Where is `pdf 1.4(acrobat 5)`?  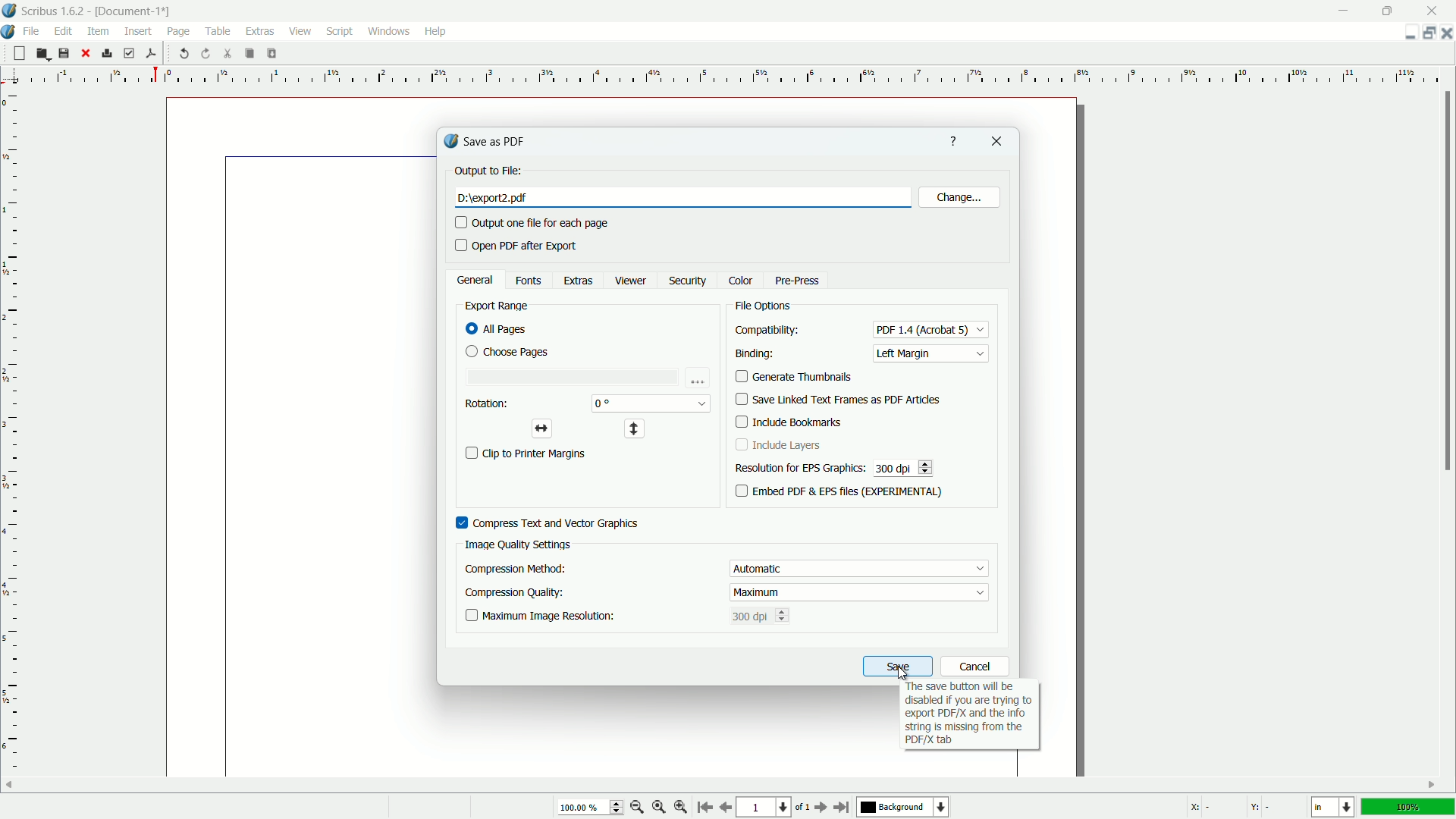 pdf 1.4(acrobat 5) is located at coordinates (930, 331).